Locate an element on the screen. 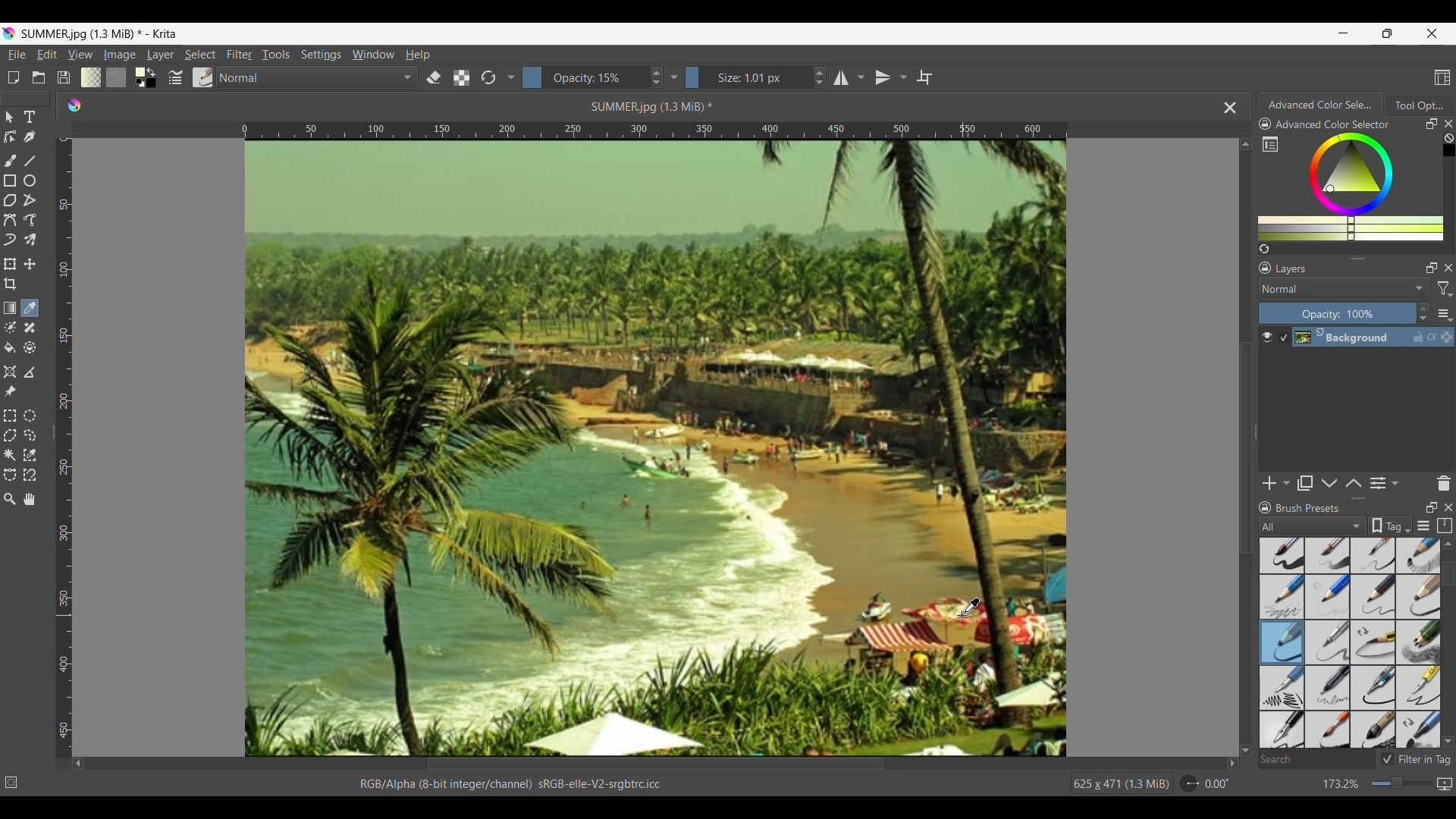 The width and height of the screenshot is (1456, 819). Advanced Color Selector is located at coordinates (1320, 105).